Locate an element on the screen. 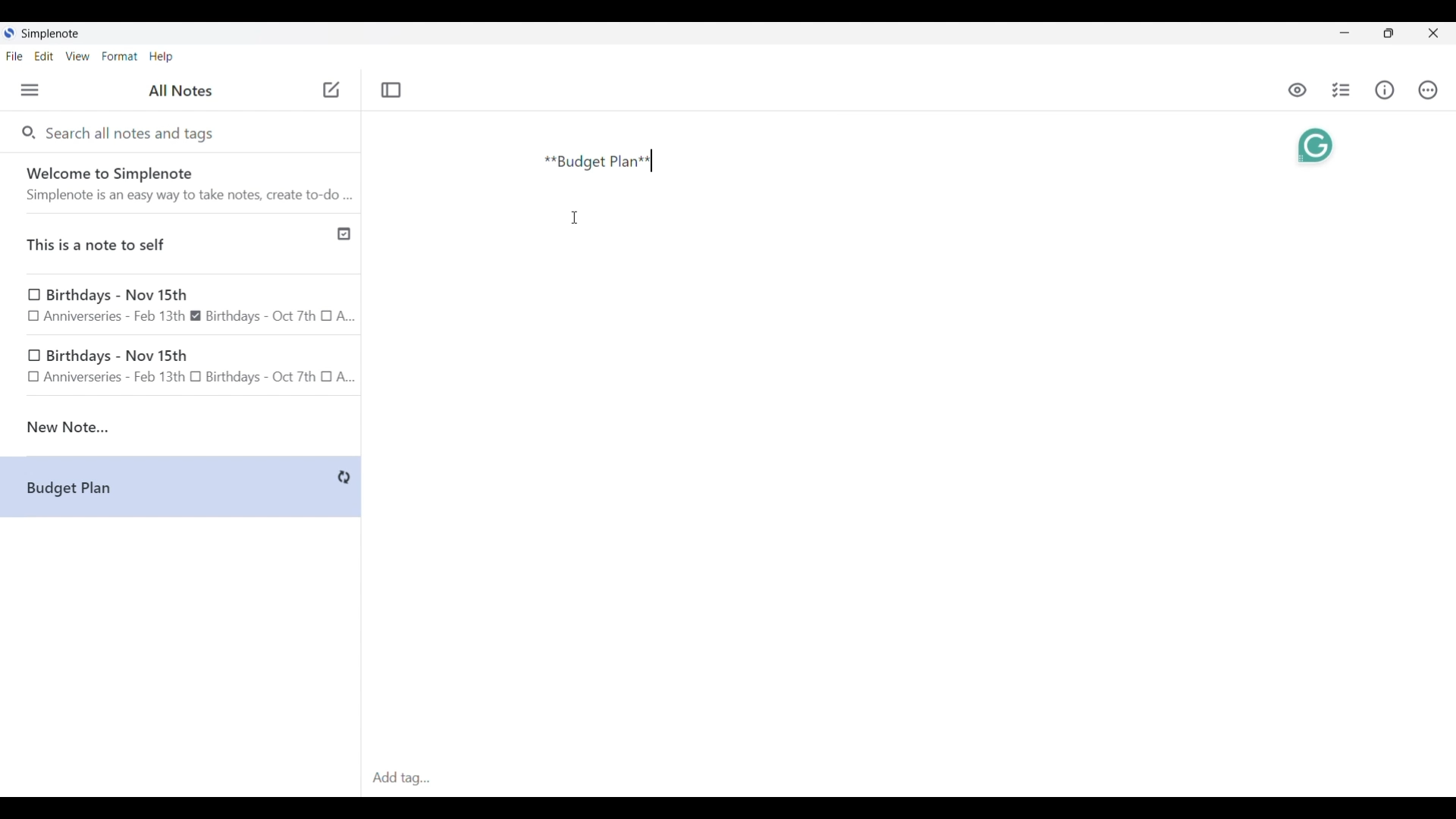  Title of left side panel is located at coordinates (180, 91).